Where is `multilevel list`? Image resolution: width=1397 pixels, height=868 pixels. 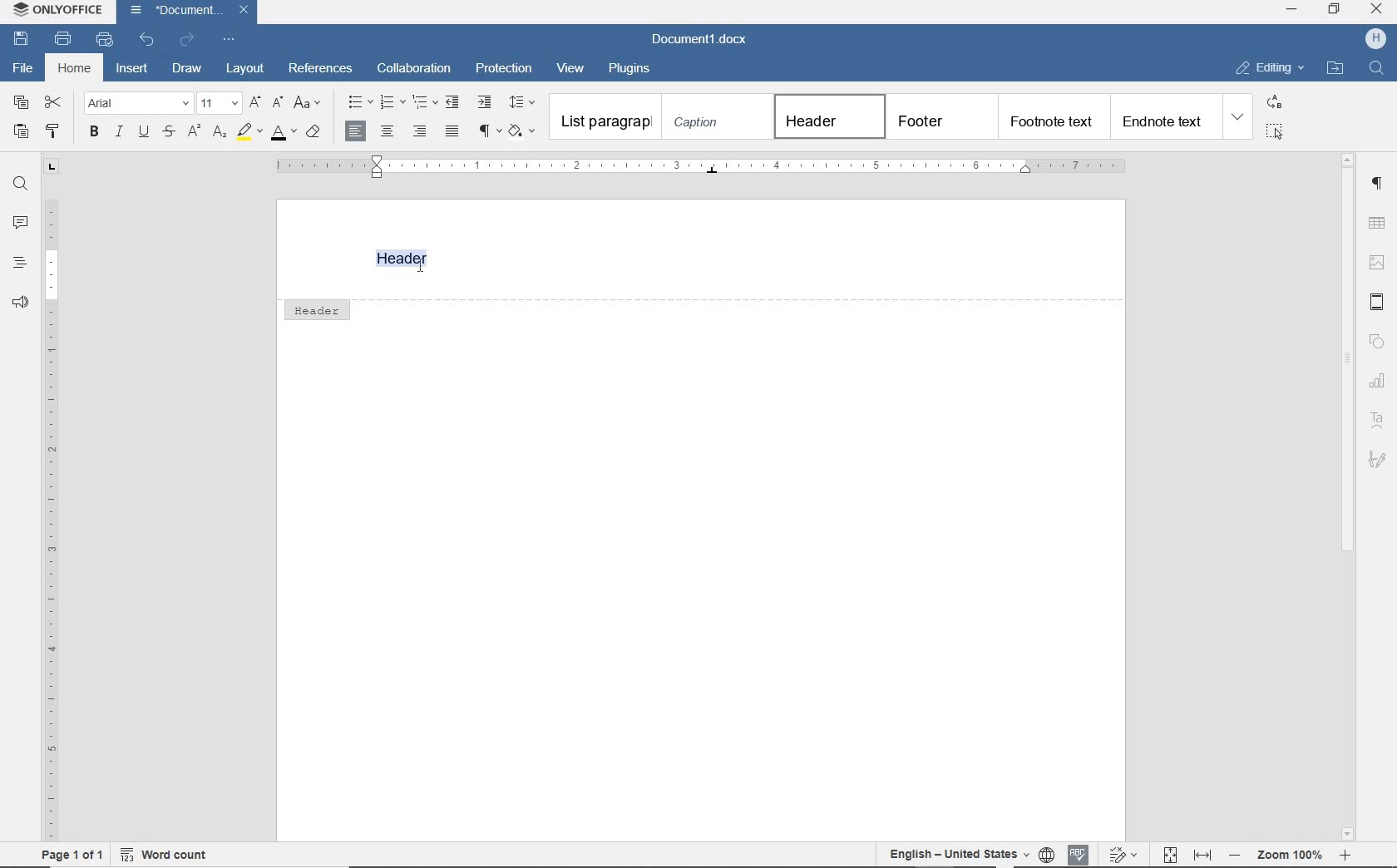 multilevel list is located at coordinates (425, 103).